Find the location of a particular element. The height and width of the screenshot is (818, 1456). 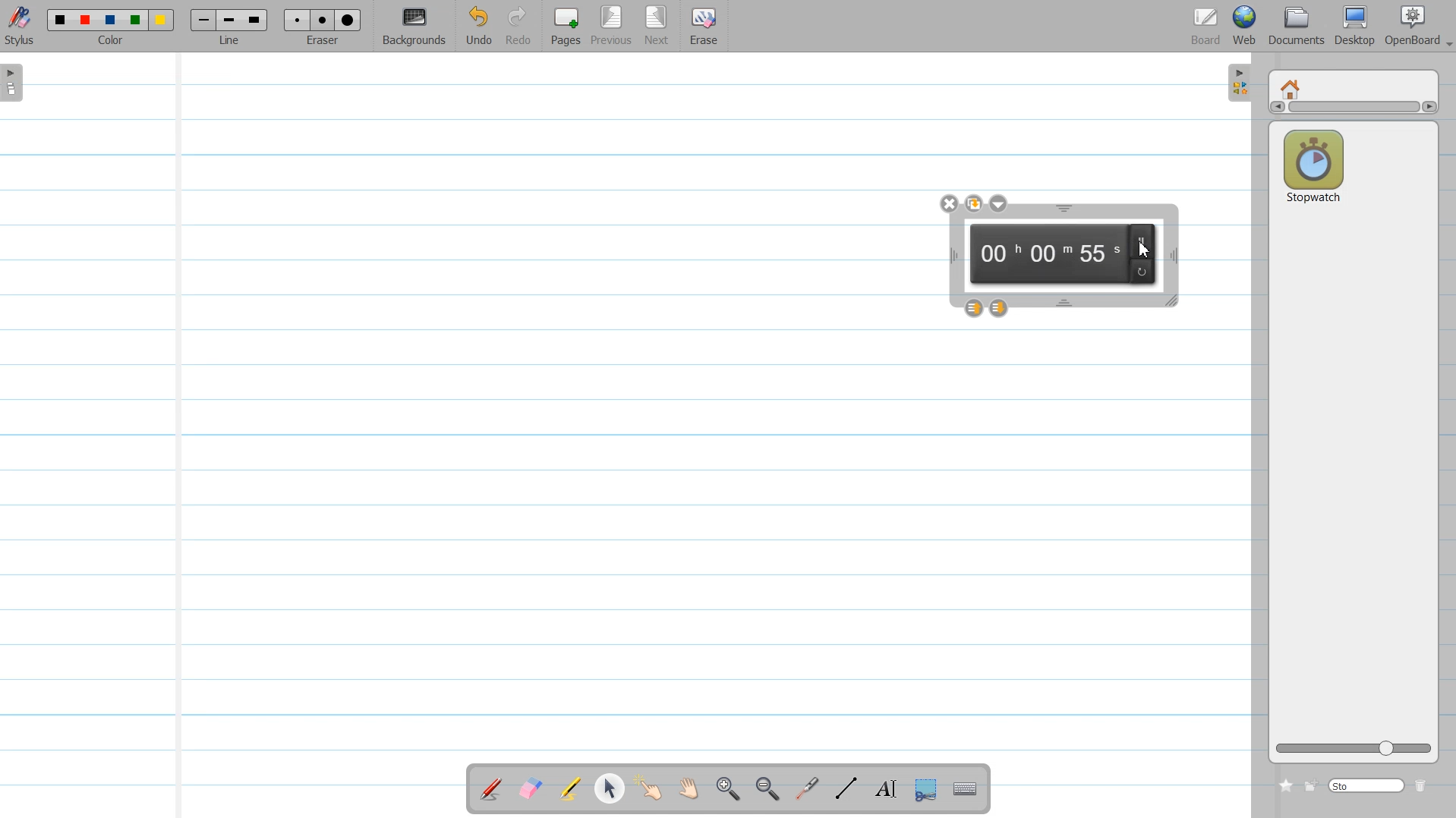

Document is located at coordinates (1297, 26).